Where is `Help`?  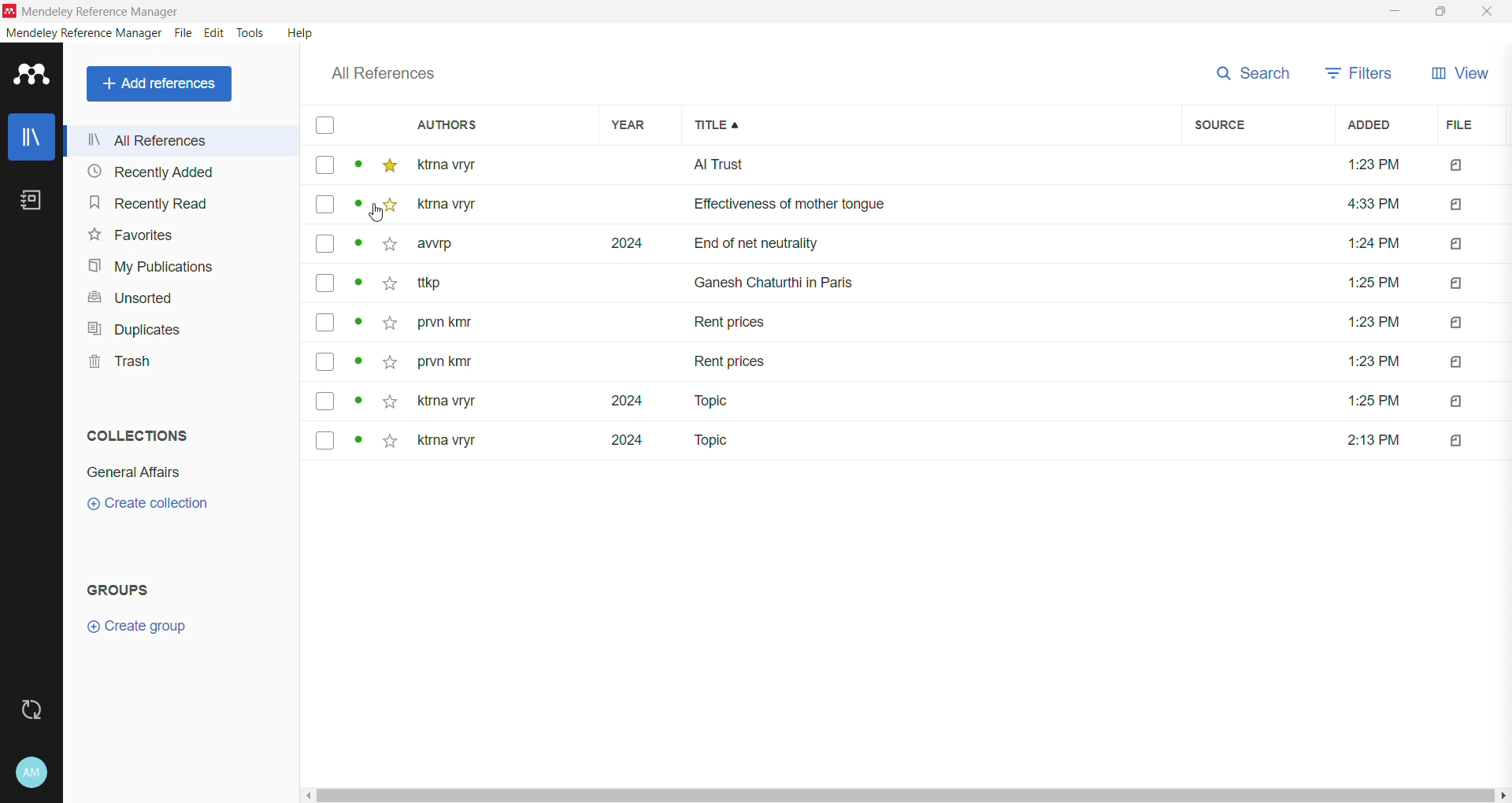 Help is located at coordinates (301, 32).